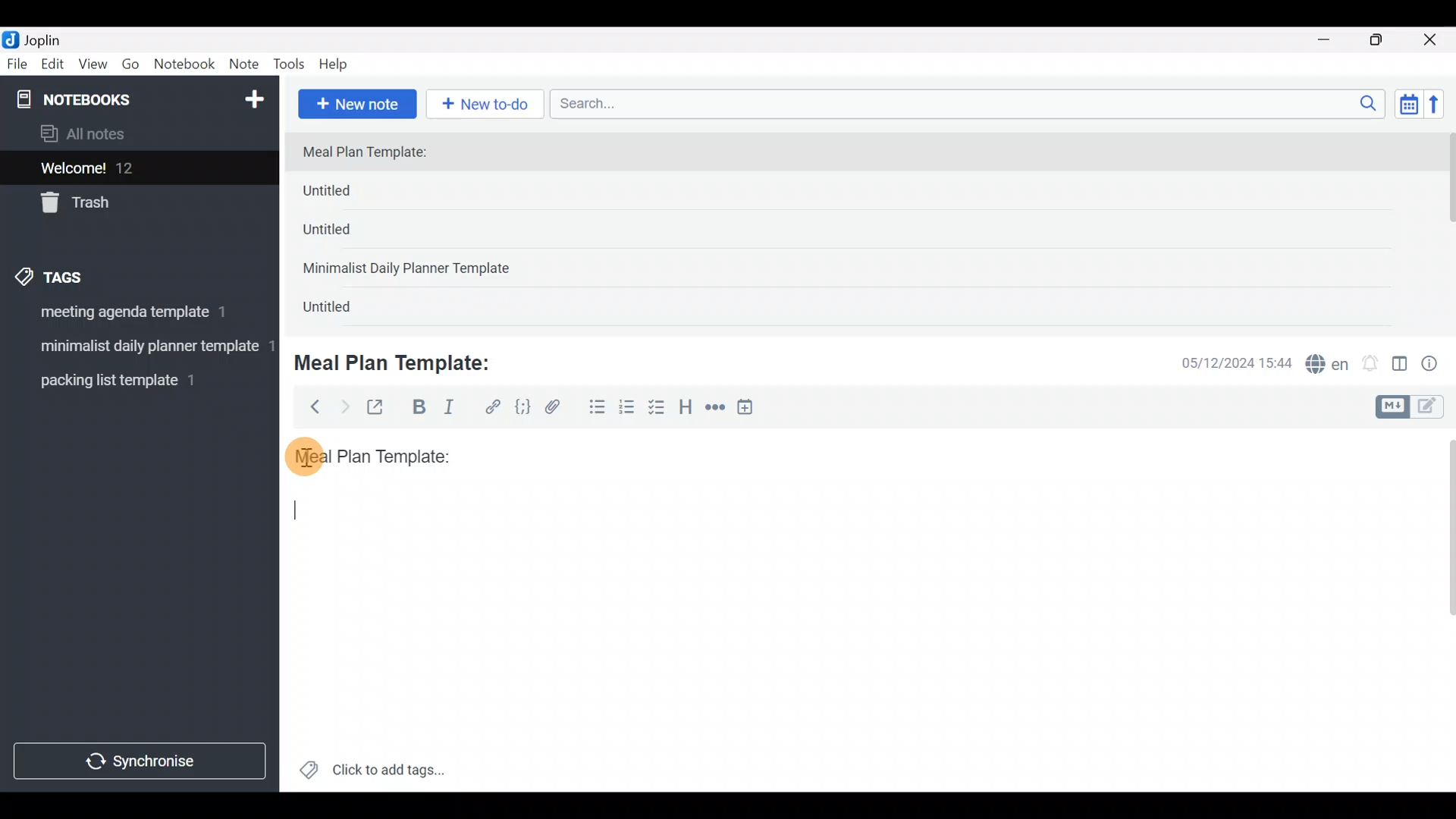  Describe the element at coordinates (135, 316) in the screenshot. I see `Tag 1` at that location.